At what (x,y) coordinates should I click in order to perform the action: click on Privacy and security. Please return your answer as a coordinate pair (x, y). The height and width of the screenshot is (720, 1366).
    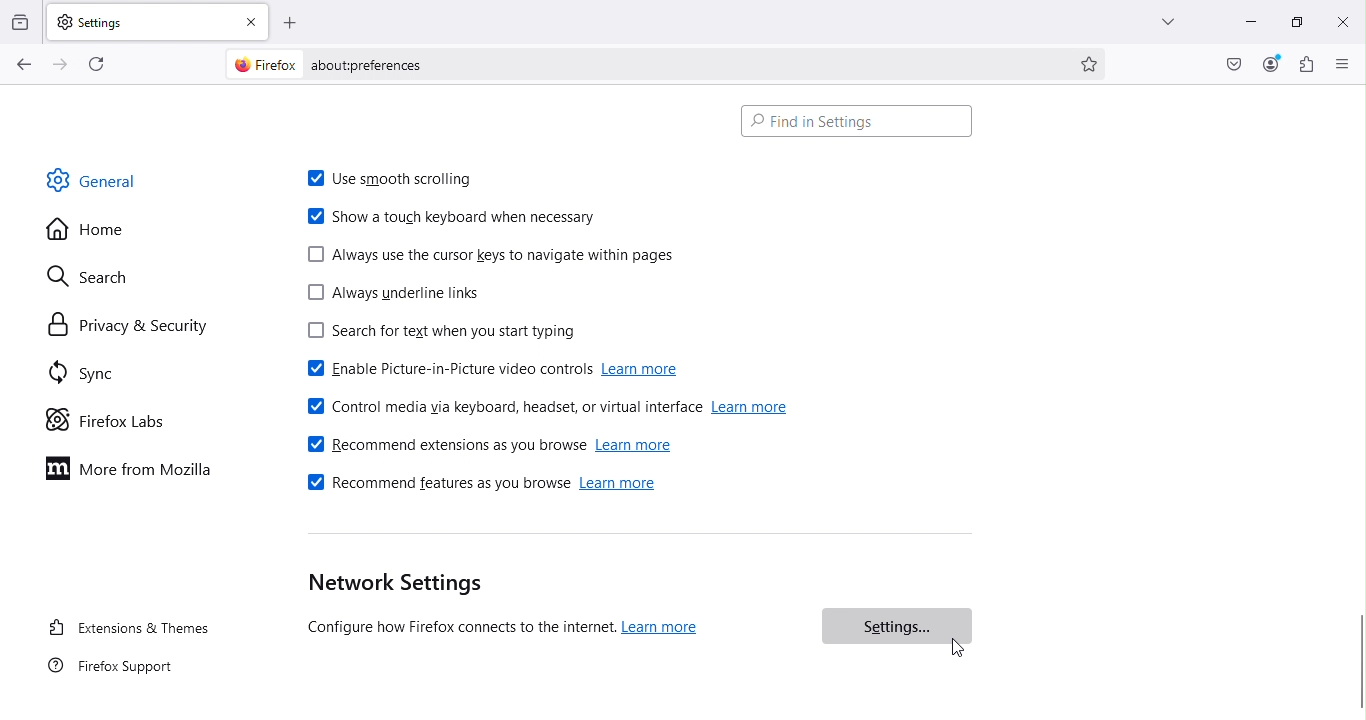
    Looking at the image, I should click on (119, 324).